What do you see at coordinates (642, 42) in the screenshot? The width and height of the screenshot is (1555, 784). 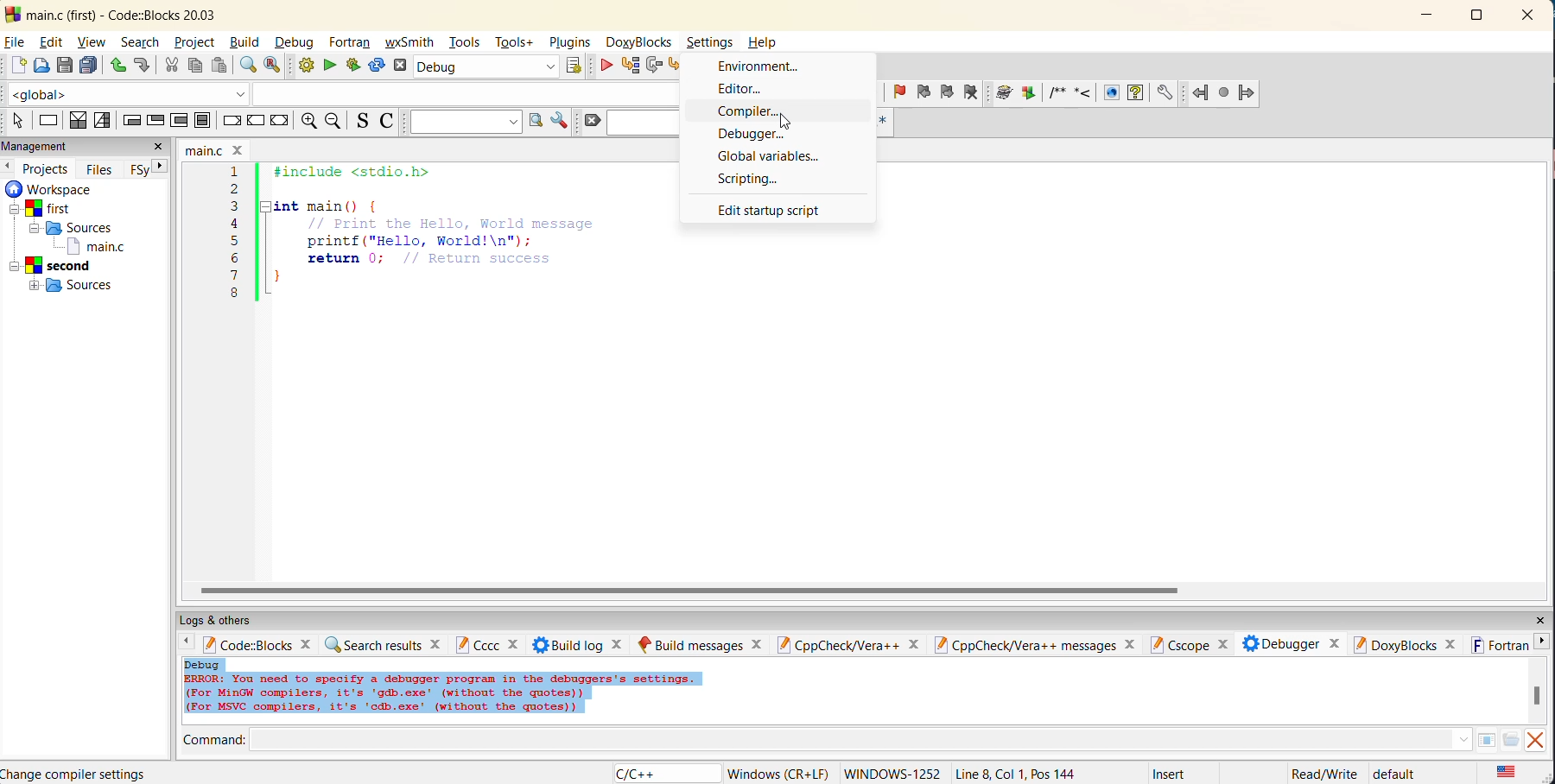 I see `doxyblocks` at bounding box center [642, 42].